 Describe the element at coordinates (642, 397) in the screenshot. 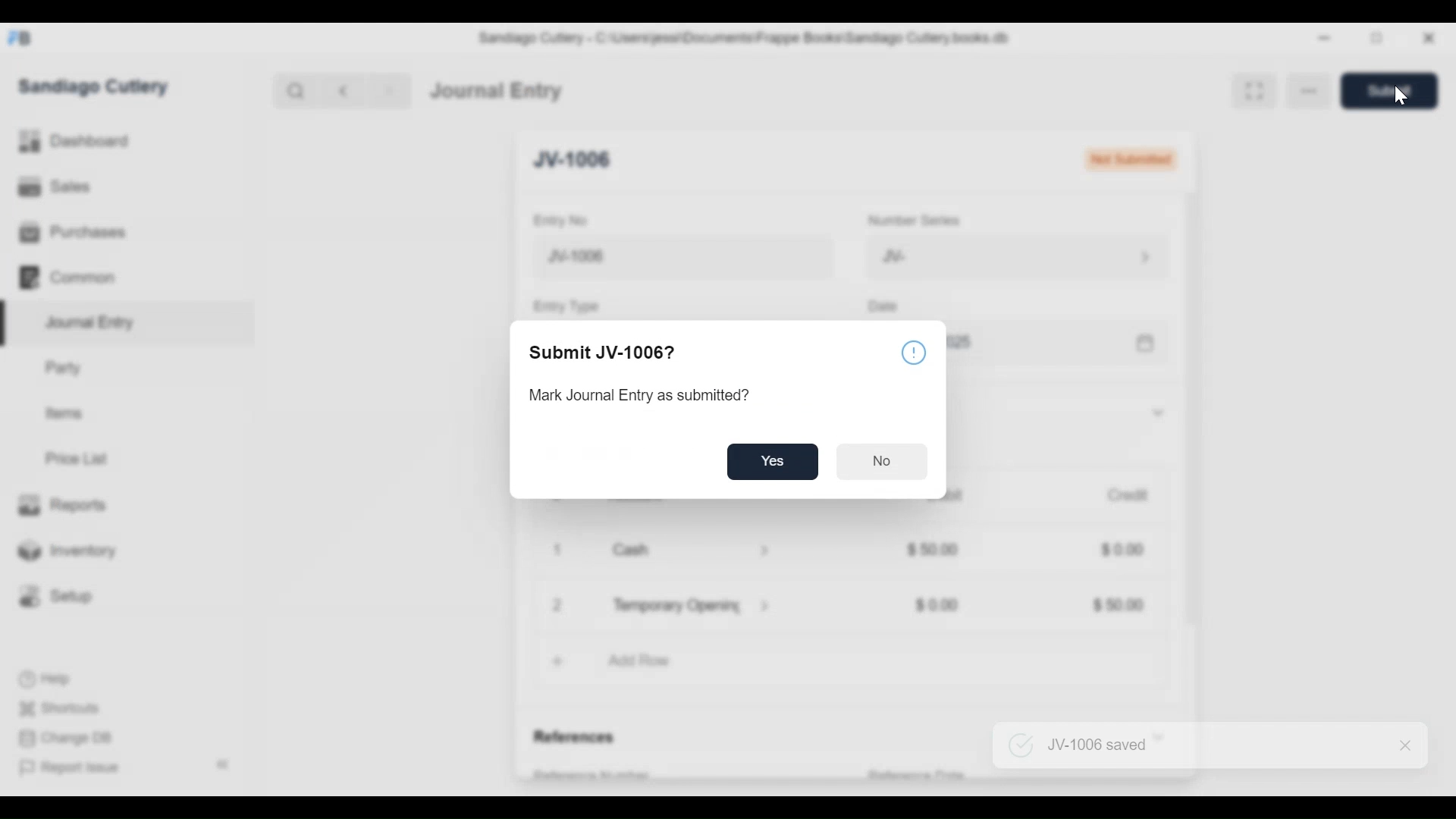

I see `Mark Journal Entry as submitted?` at that location.